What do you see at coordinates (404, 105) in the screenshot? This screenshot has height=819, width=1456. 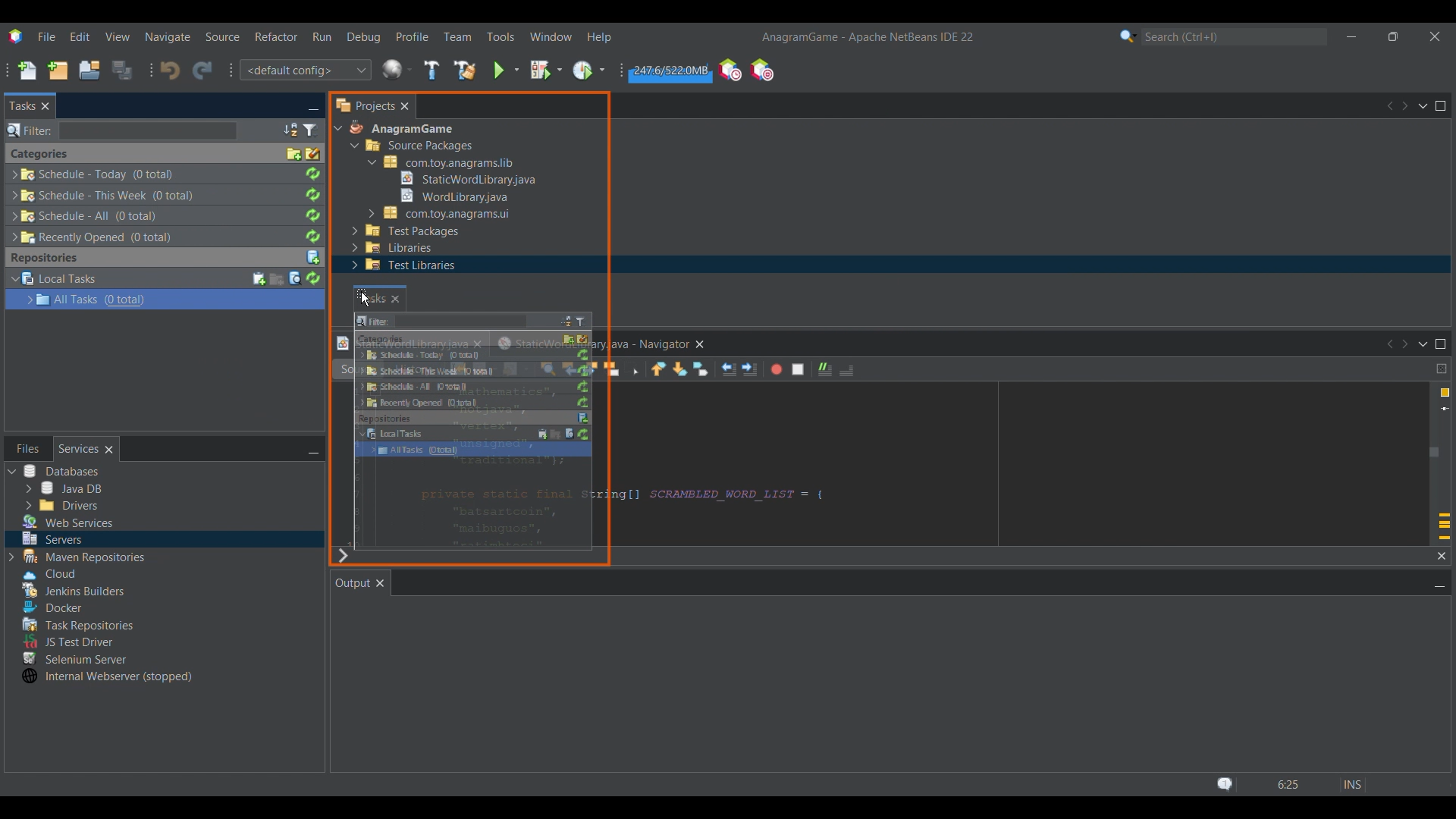 I see `Close` at bounding box center [404, 105].